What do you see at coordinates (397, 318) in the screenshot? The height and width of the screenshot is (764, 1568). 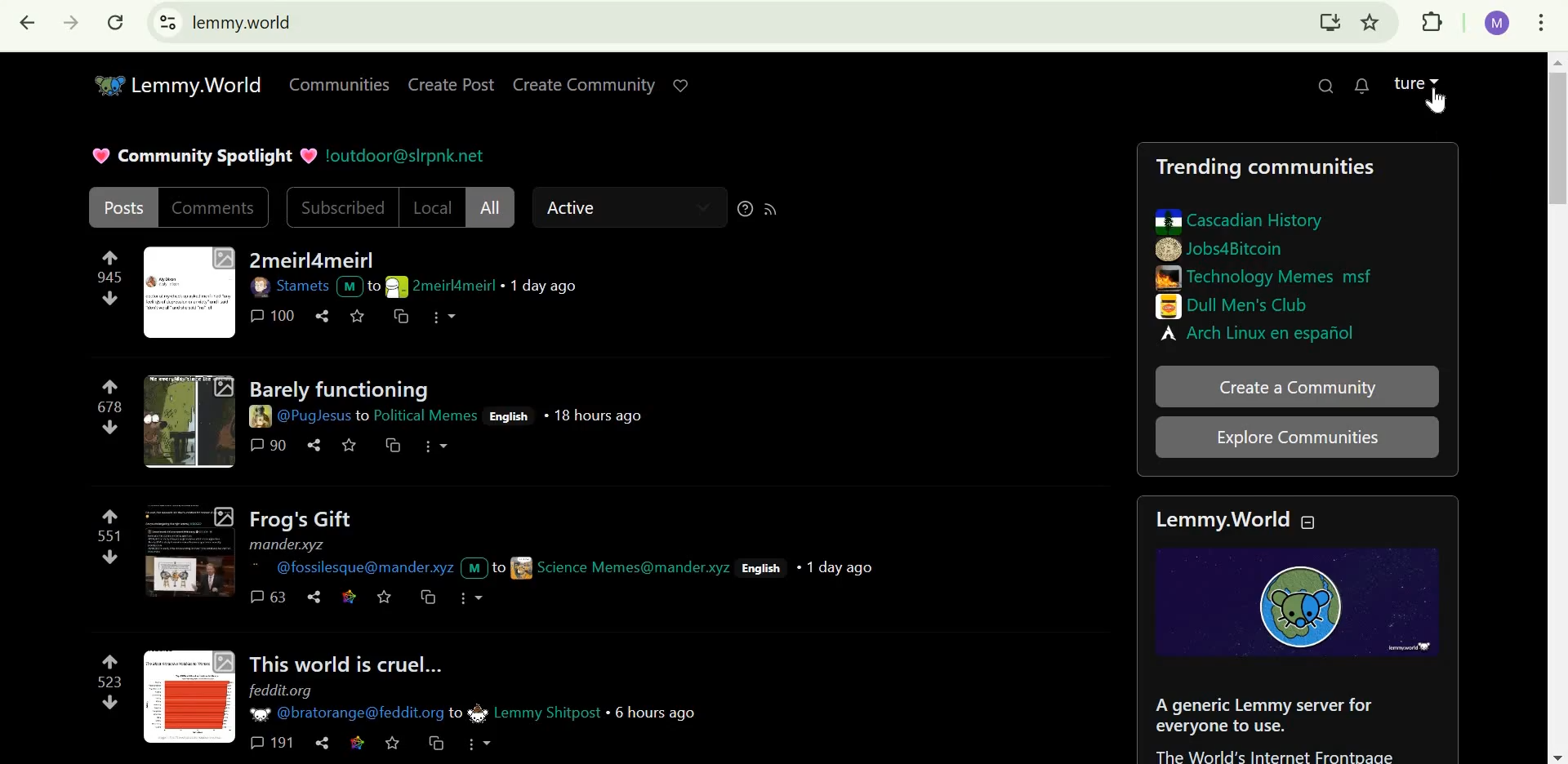 I see `cross-post` at bounding box center [397, 318].